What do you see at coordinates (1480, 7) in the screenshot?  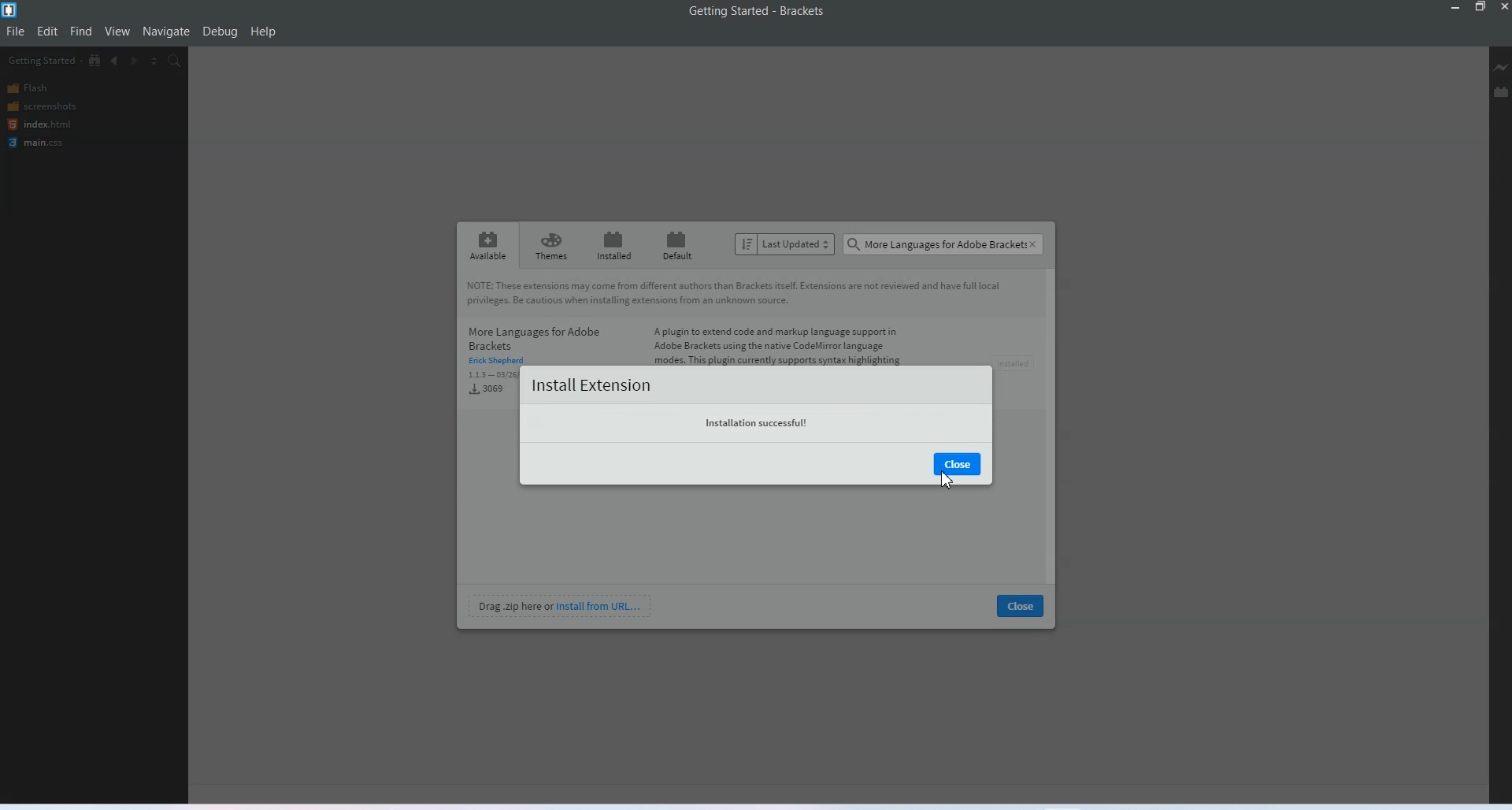 I see `Maximise` at bounding box center [1480, 7].